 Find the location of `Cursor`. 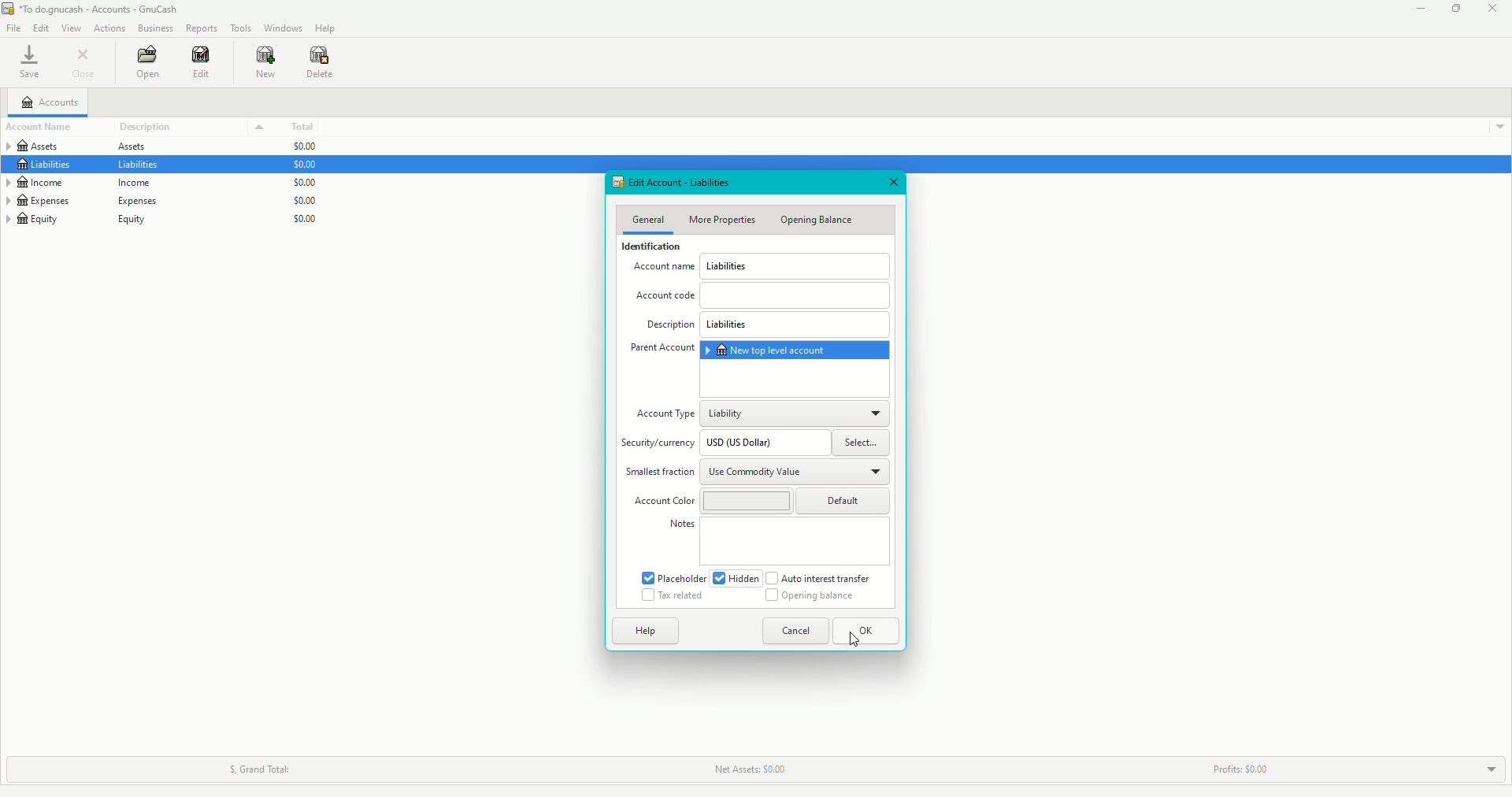

Cursor is located at coordinates (855, 636).